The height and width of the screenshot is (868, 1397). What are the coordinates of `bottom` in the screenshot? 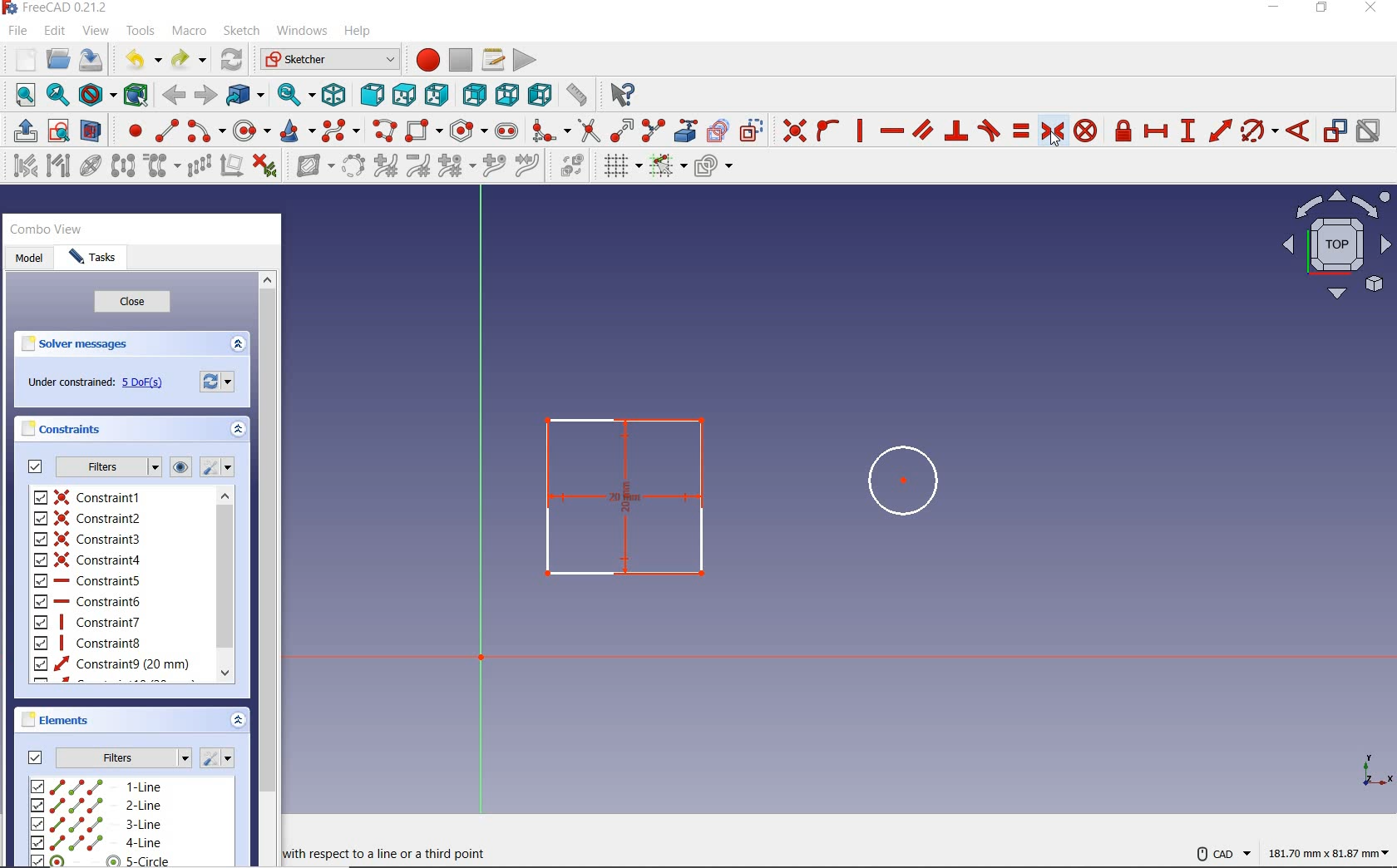 It's located at (508, 96).